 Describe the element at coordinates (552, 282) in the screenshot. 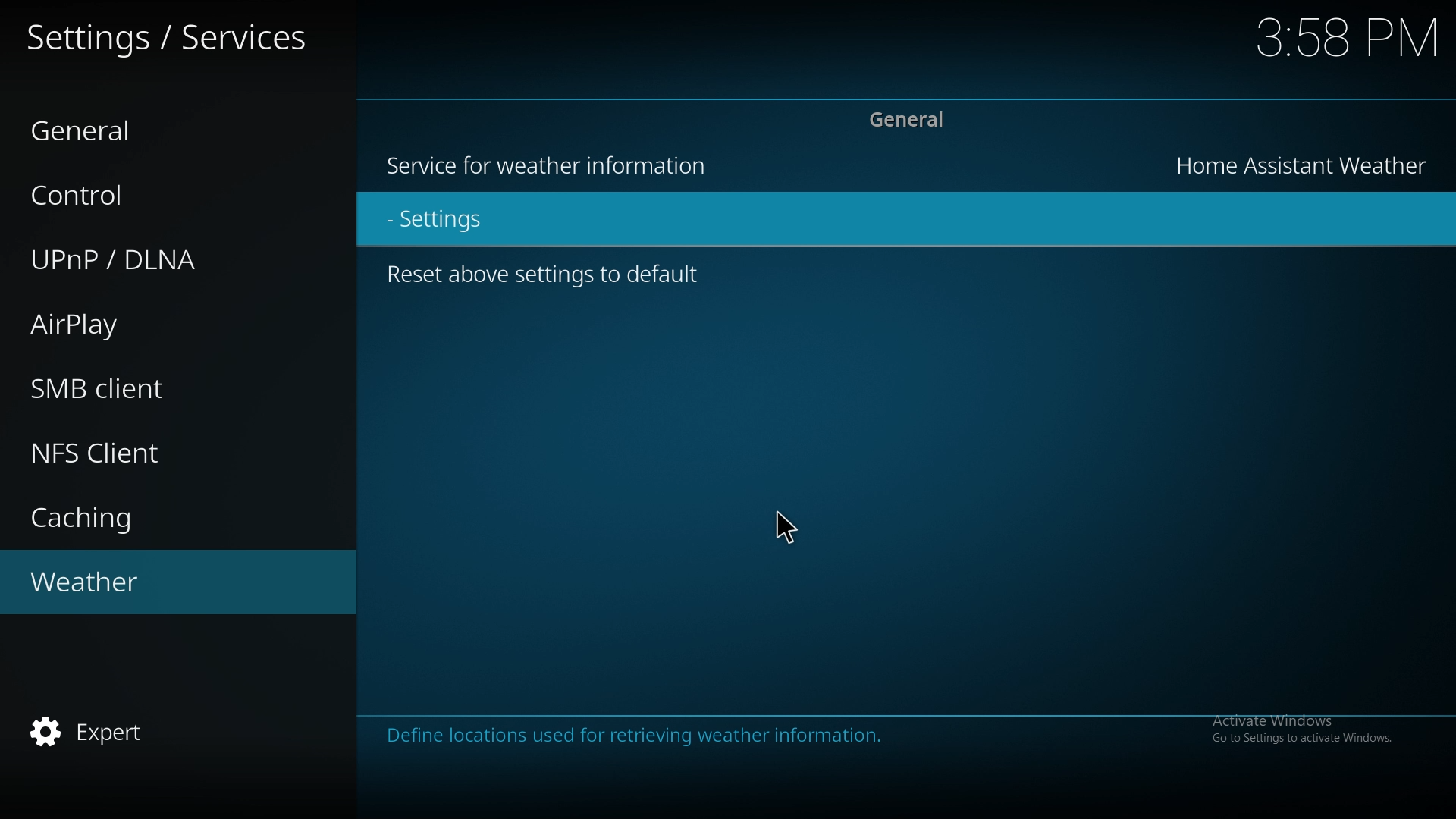

I see `Reset above settings to default` at that location.